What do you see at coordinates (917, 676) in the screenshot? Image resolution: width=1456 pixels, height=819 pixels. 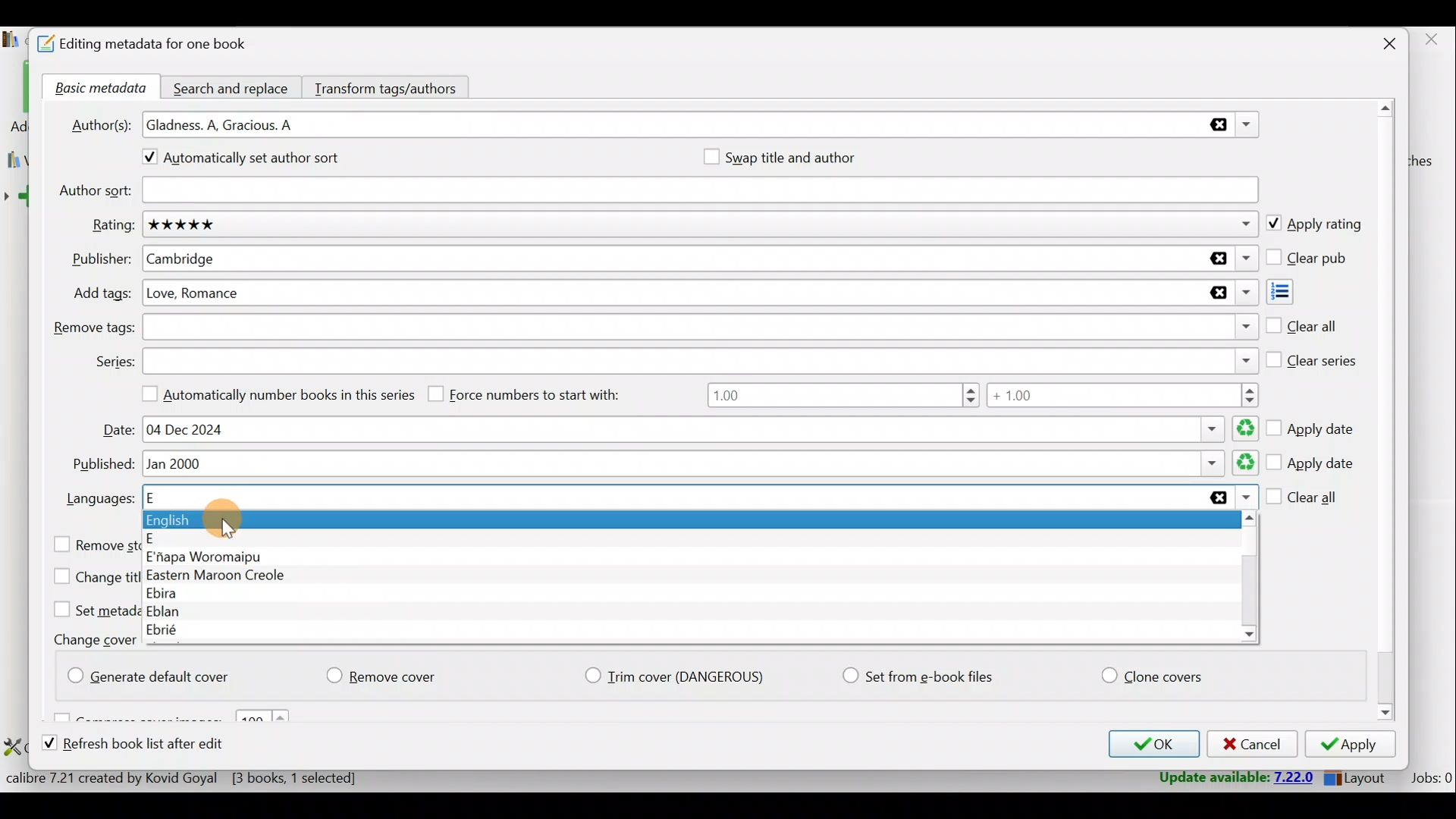 I see `Set from e-book files` at bounding box center [917, 676].